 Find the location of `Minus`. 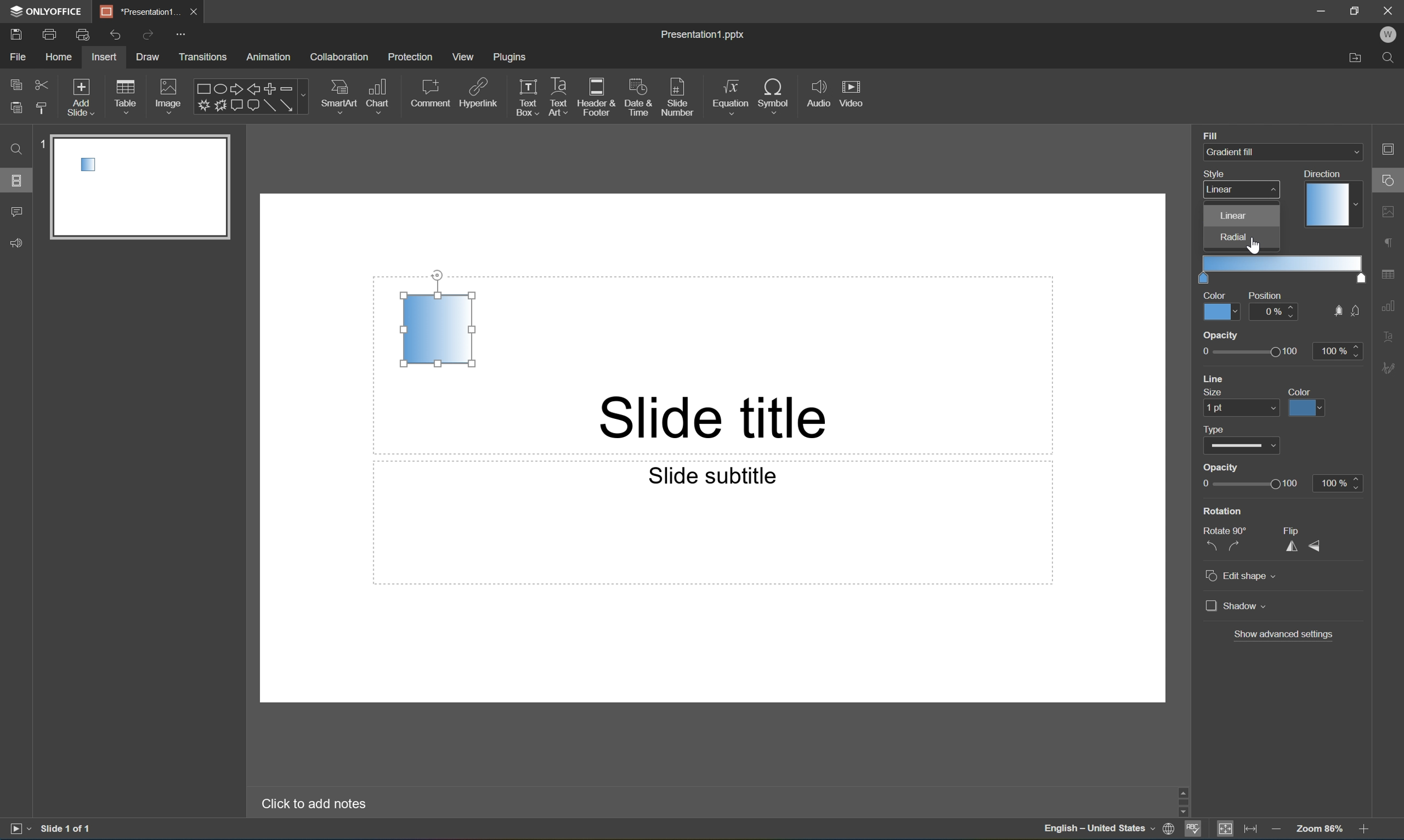

Minus is located at coordinates (293, 88).